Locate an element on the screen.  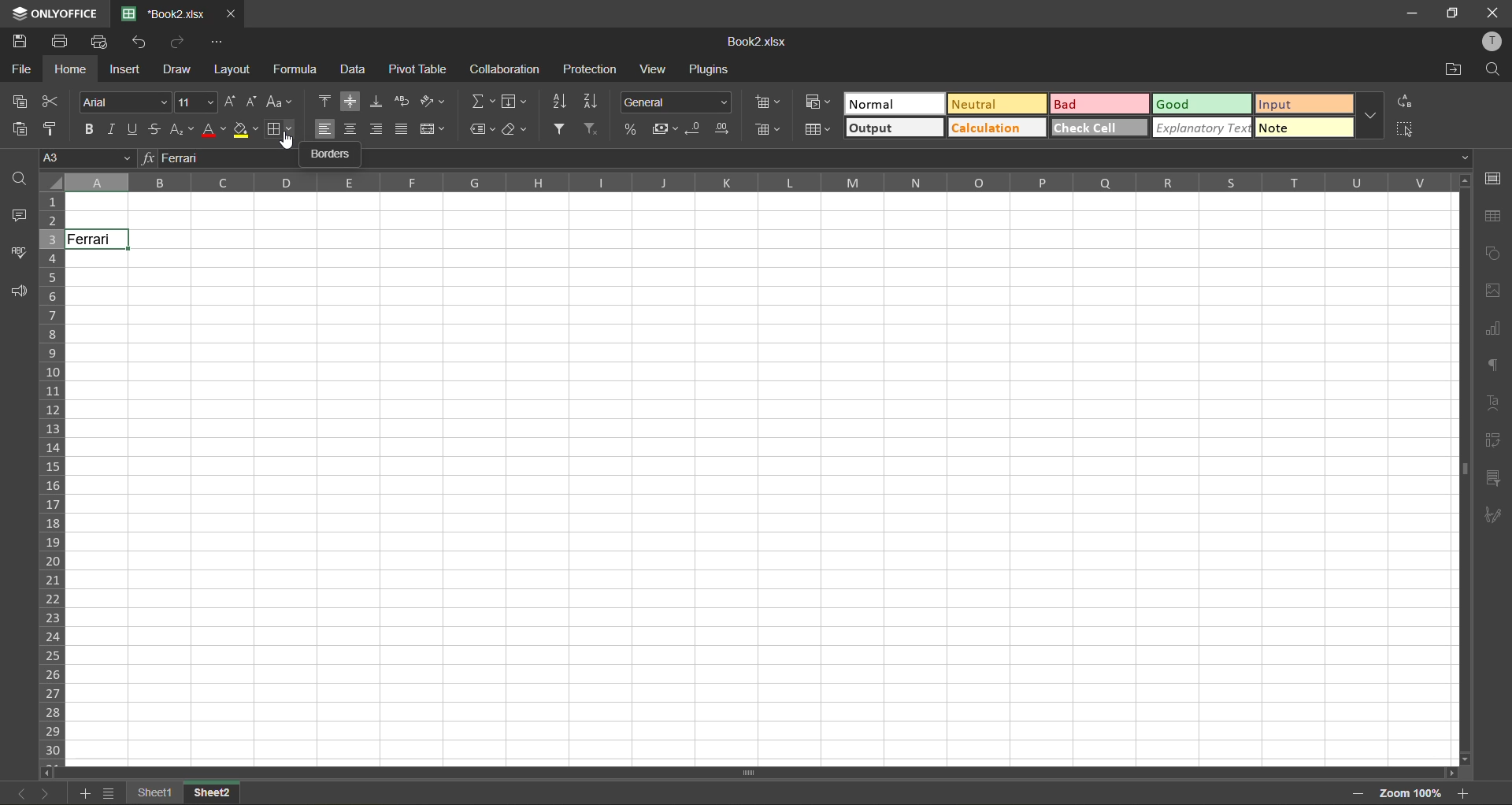
more options is located at coordinates (1371, 114).